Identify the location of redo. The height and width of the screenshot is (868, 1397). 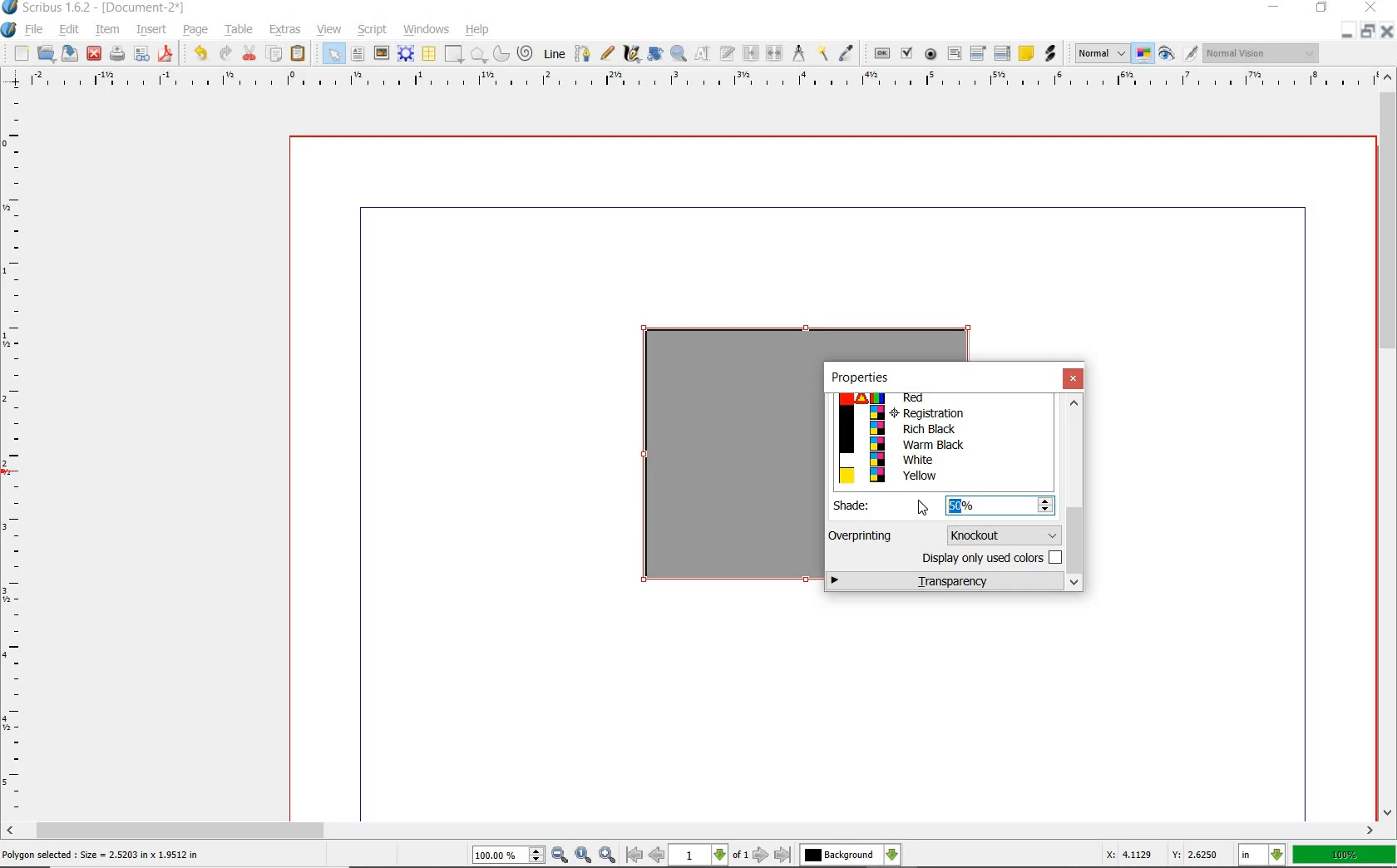
(225, 54).